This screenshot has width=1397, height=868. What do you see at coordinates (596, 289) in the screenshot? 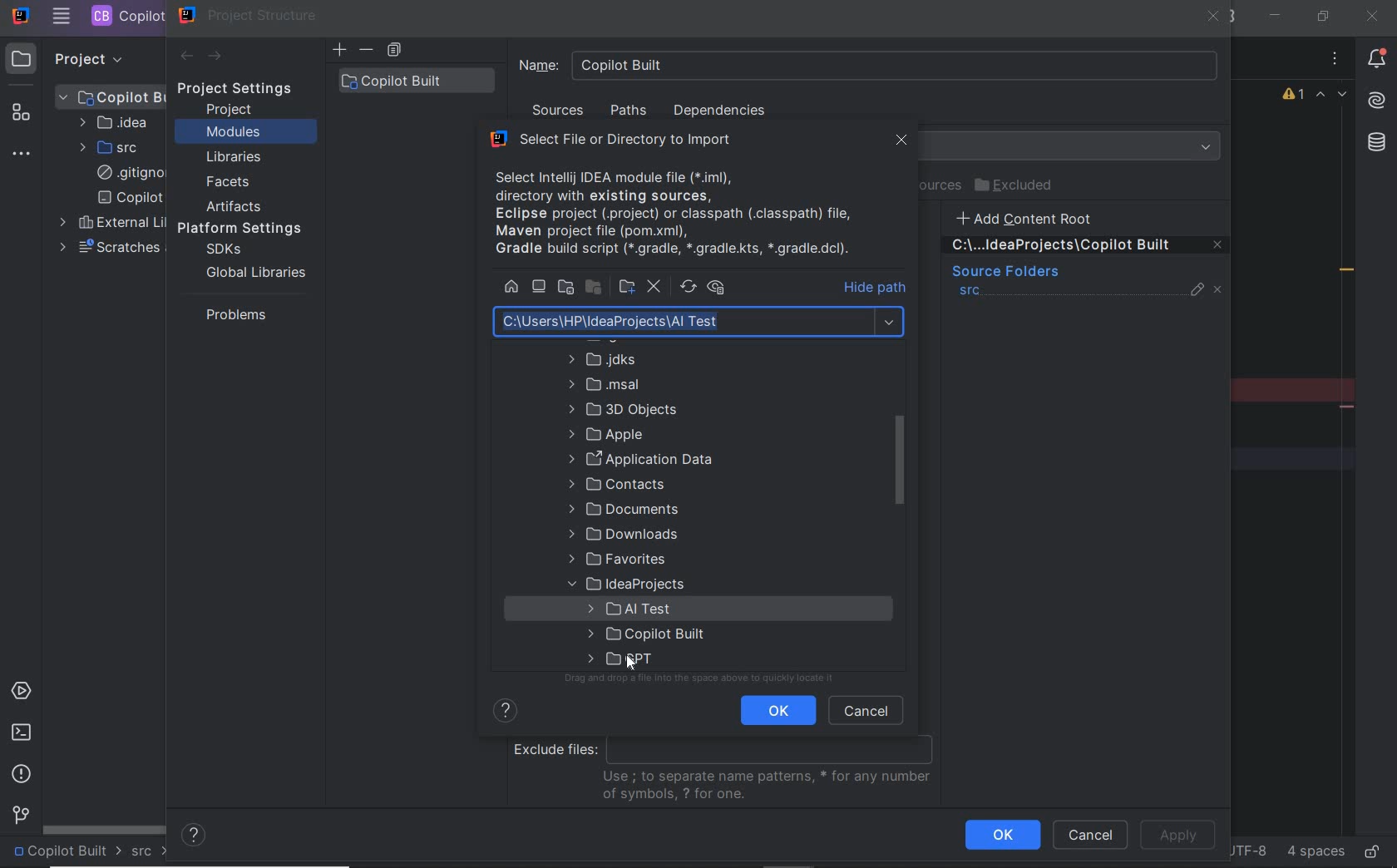
I see `module directory` at bounding box center [596, 289].